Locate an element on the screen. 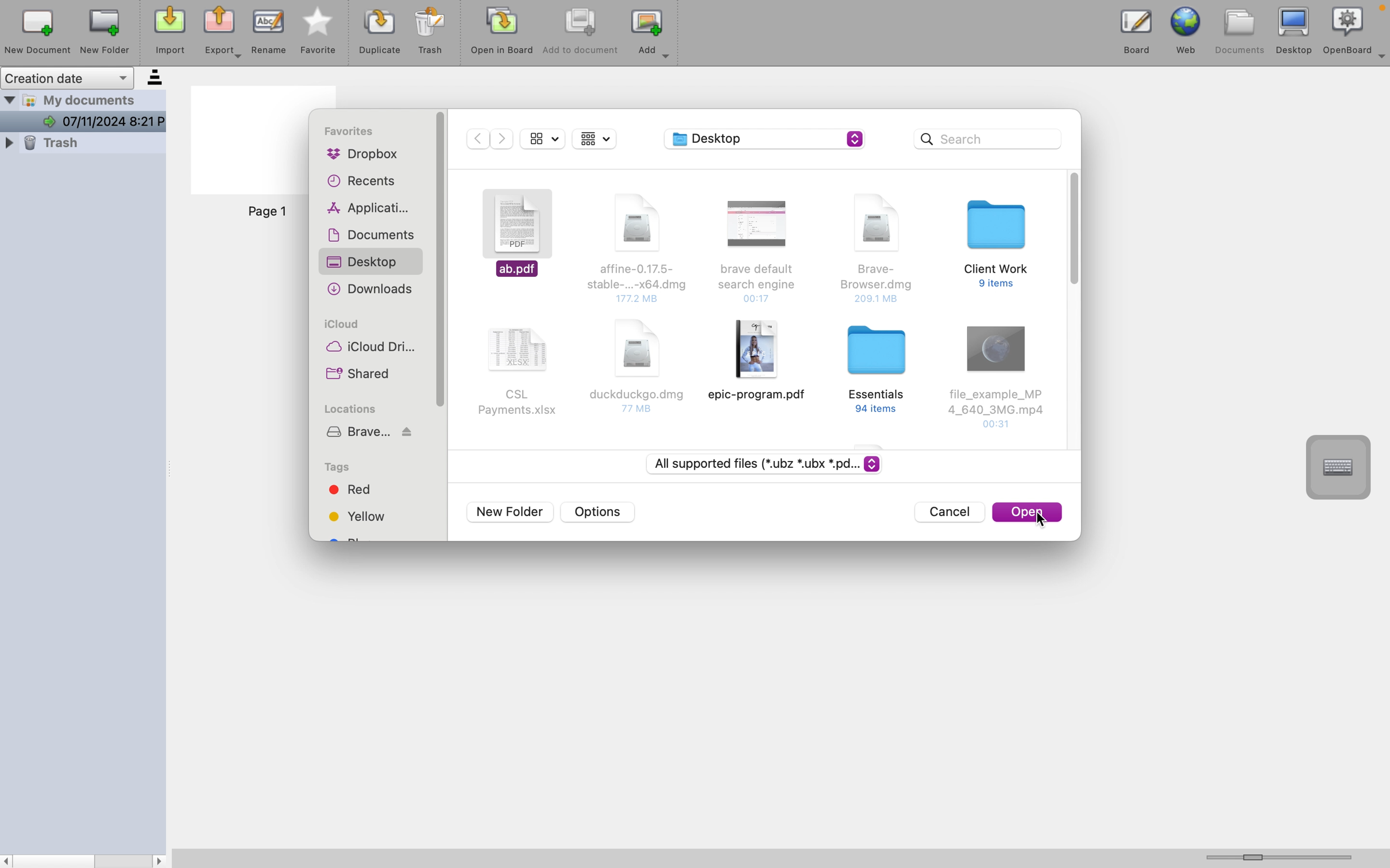 Image resolution: width=1390 pixels, height=868 pixels. new document is located at coordinates (37, 32).